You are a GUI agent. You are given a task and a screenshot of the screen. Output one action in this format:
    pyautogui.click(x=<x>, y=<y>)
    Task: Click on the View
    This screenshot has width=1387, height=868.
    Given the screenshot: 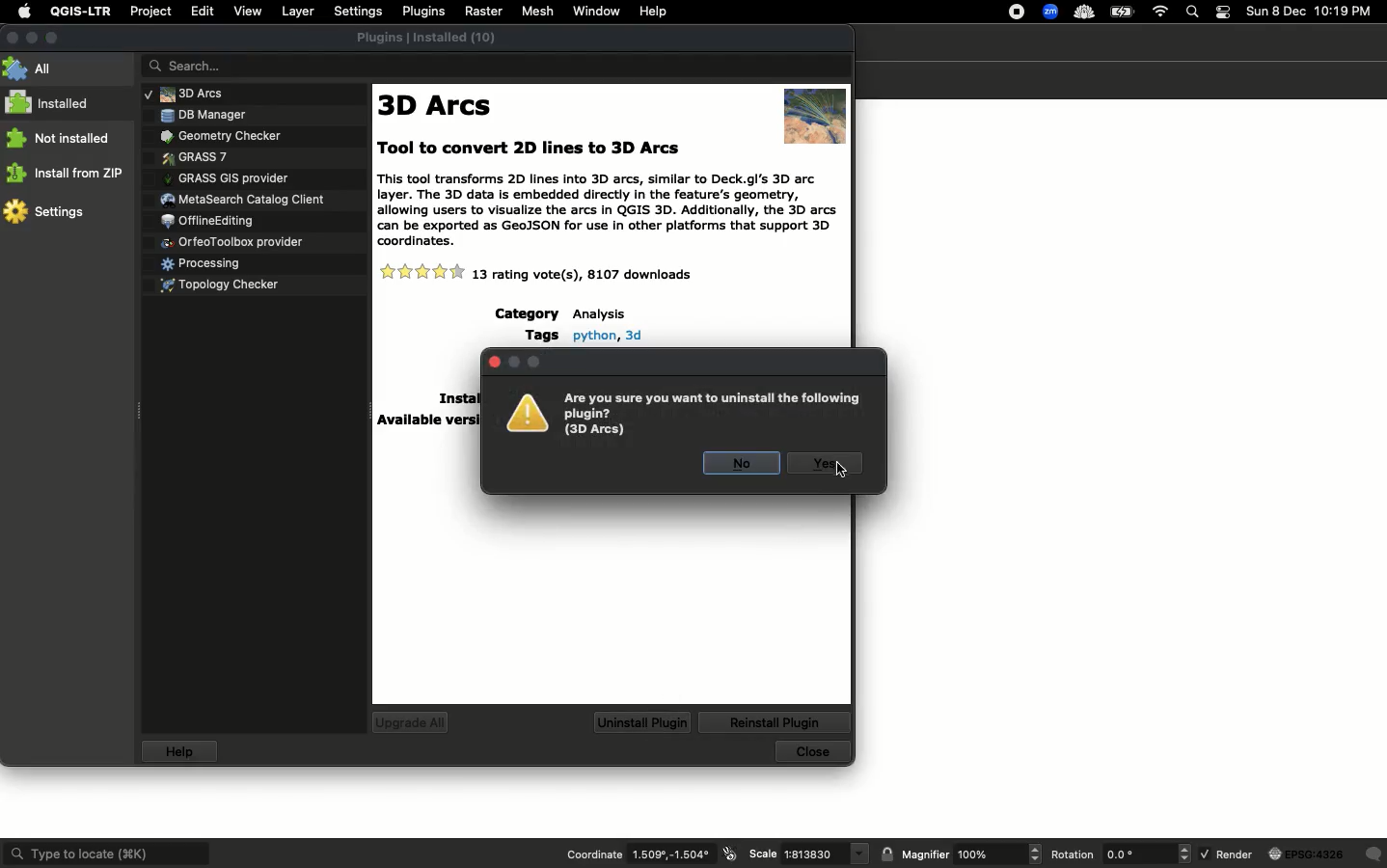 What is the action you would take?
    pyautogui.click(x=247, y=12)
    